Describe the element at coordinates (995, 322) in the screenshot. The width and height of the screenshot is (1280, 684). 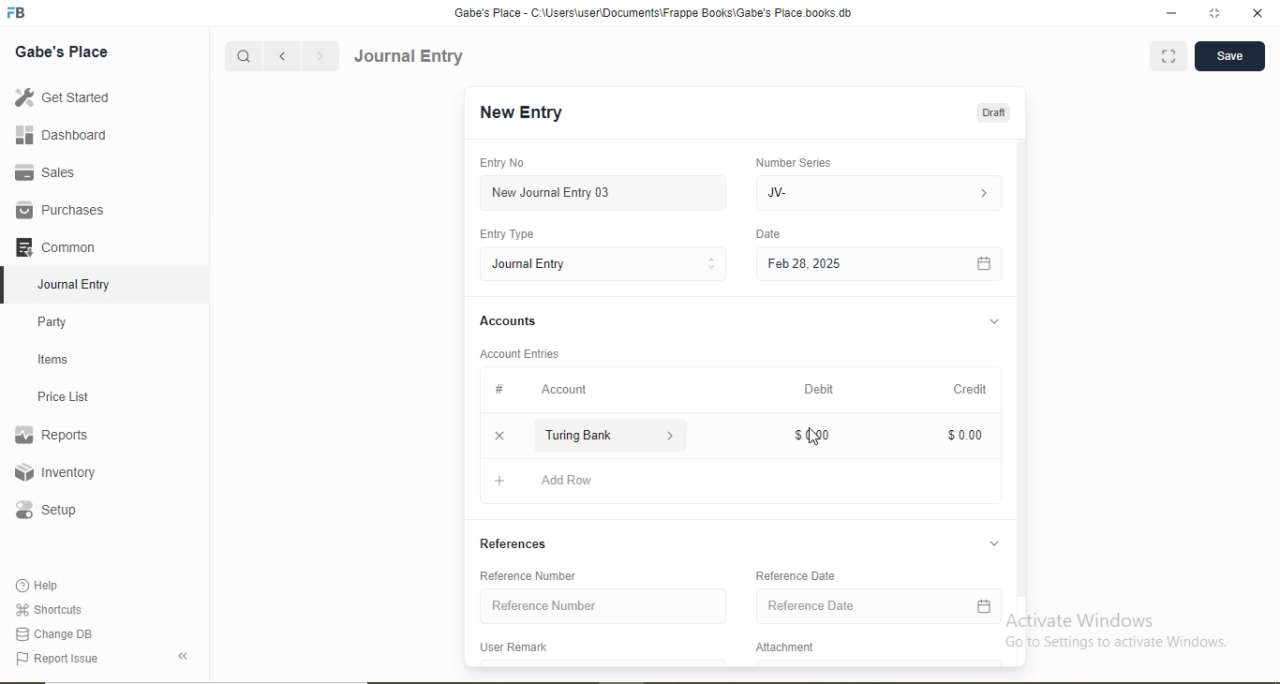
I see `Dropdown` at that location.